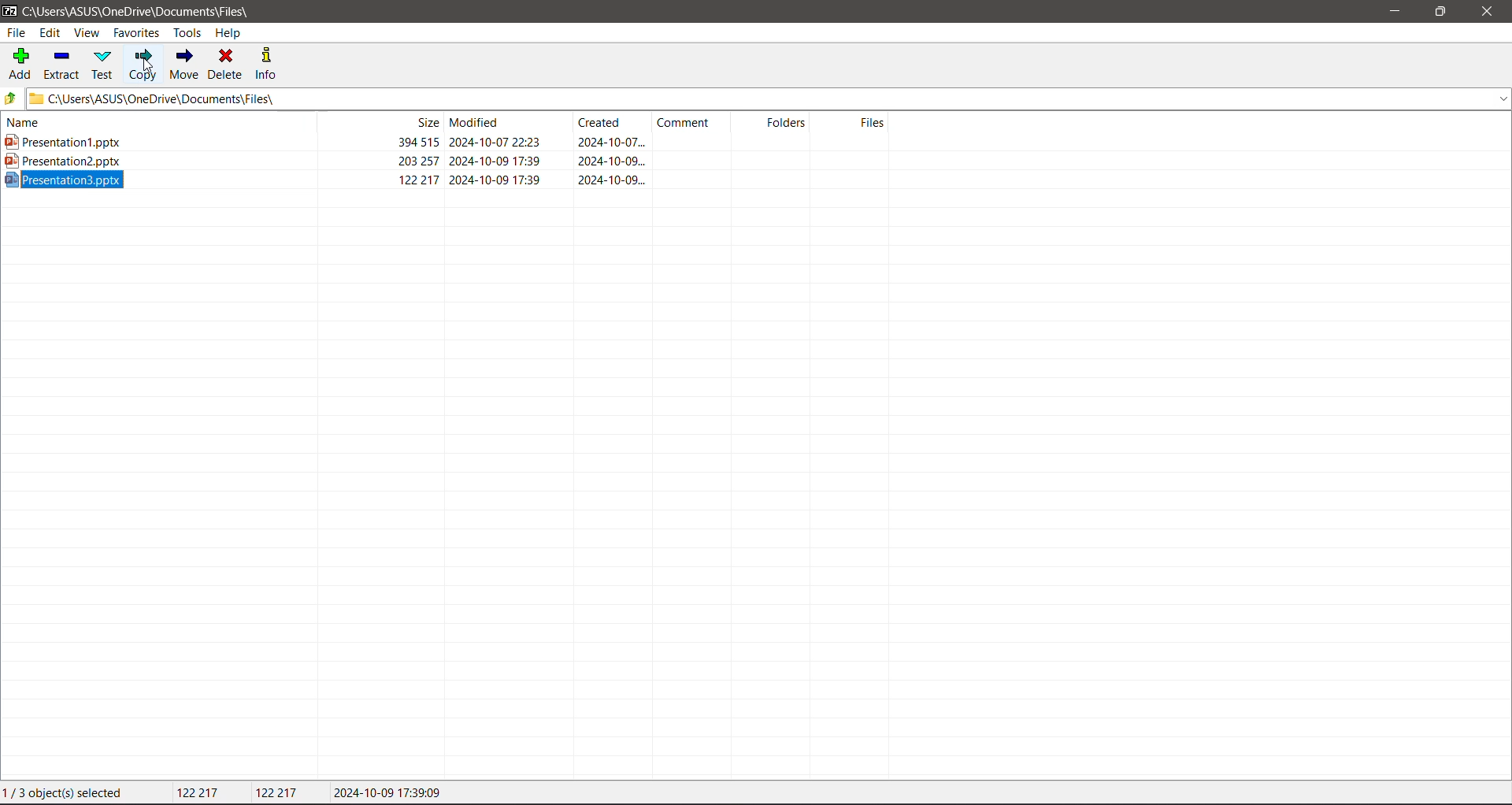 This screenshot has width=1512, height=805. I want to click on Folders, so click(777, 122).